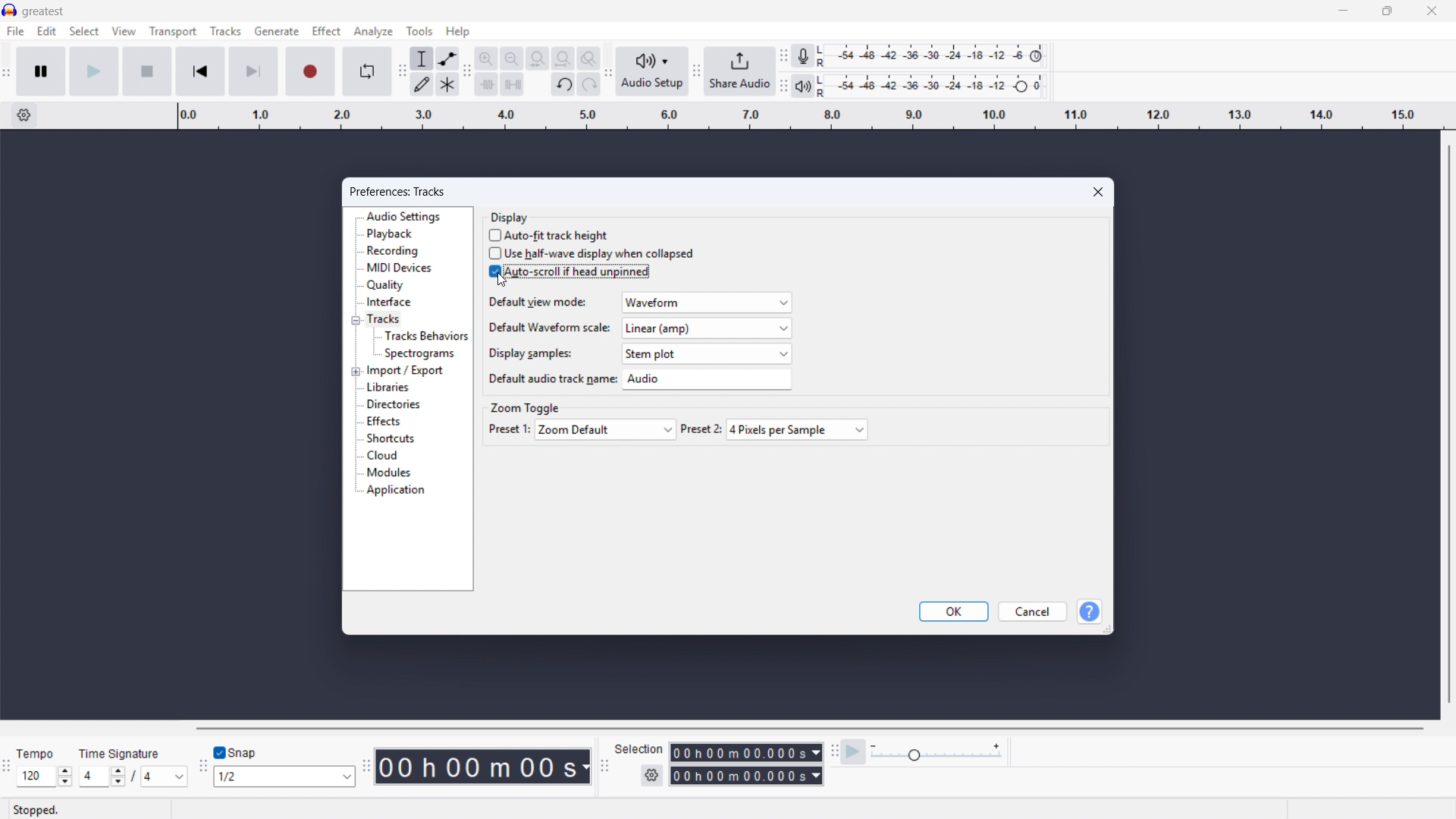 The width and height of the screenshot is (1456, 819). What do you see at coordinates (284, 776) in the screenshot?
I see `Select snapping ` at bounding box center [284, 776].